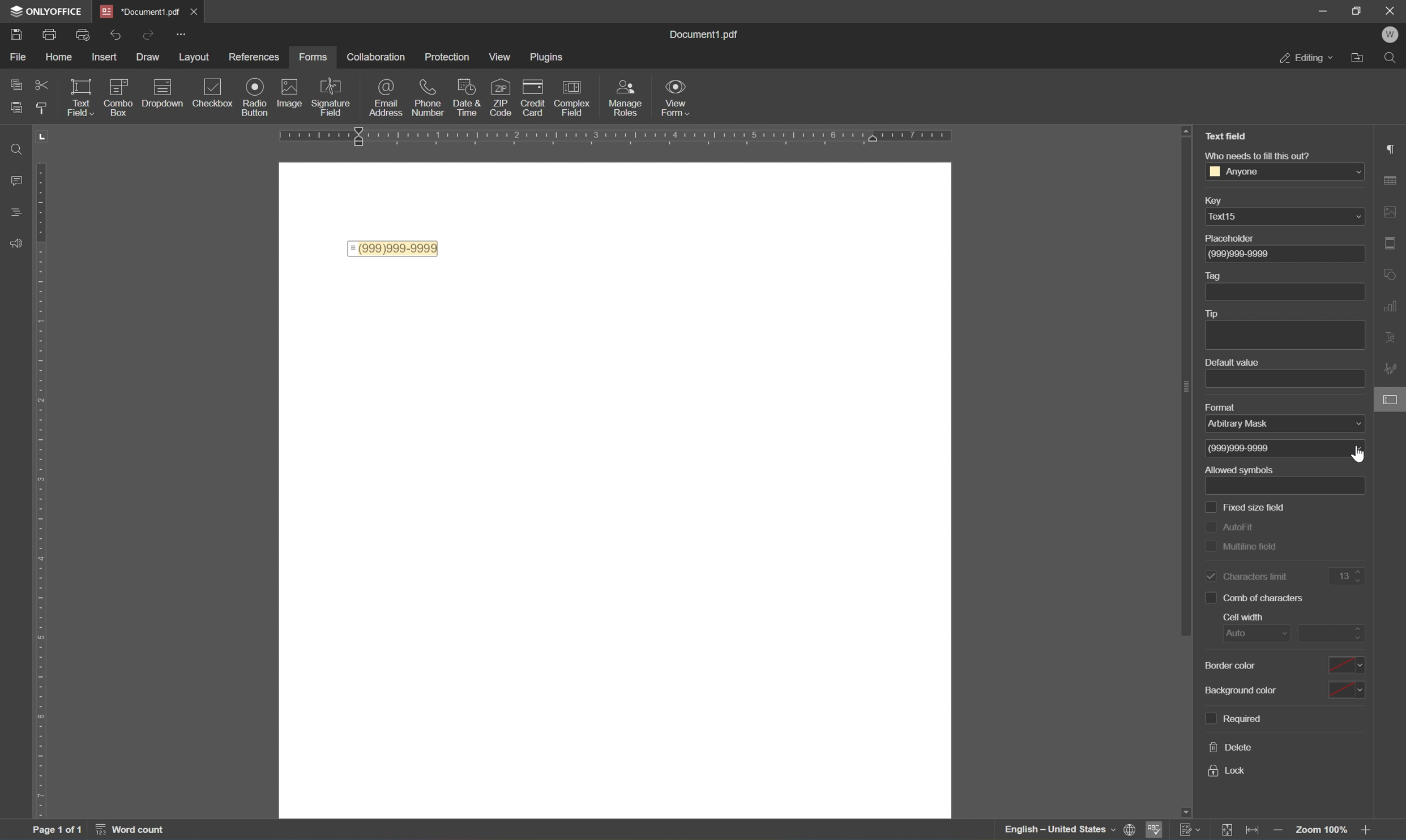  What do you see at coordinates (1221, 200) in the screenshot?
I see `key` at bounding box center [1221, 200].